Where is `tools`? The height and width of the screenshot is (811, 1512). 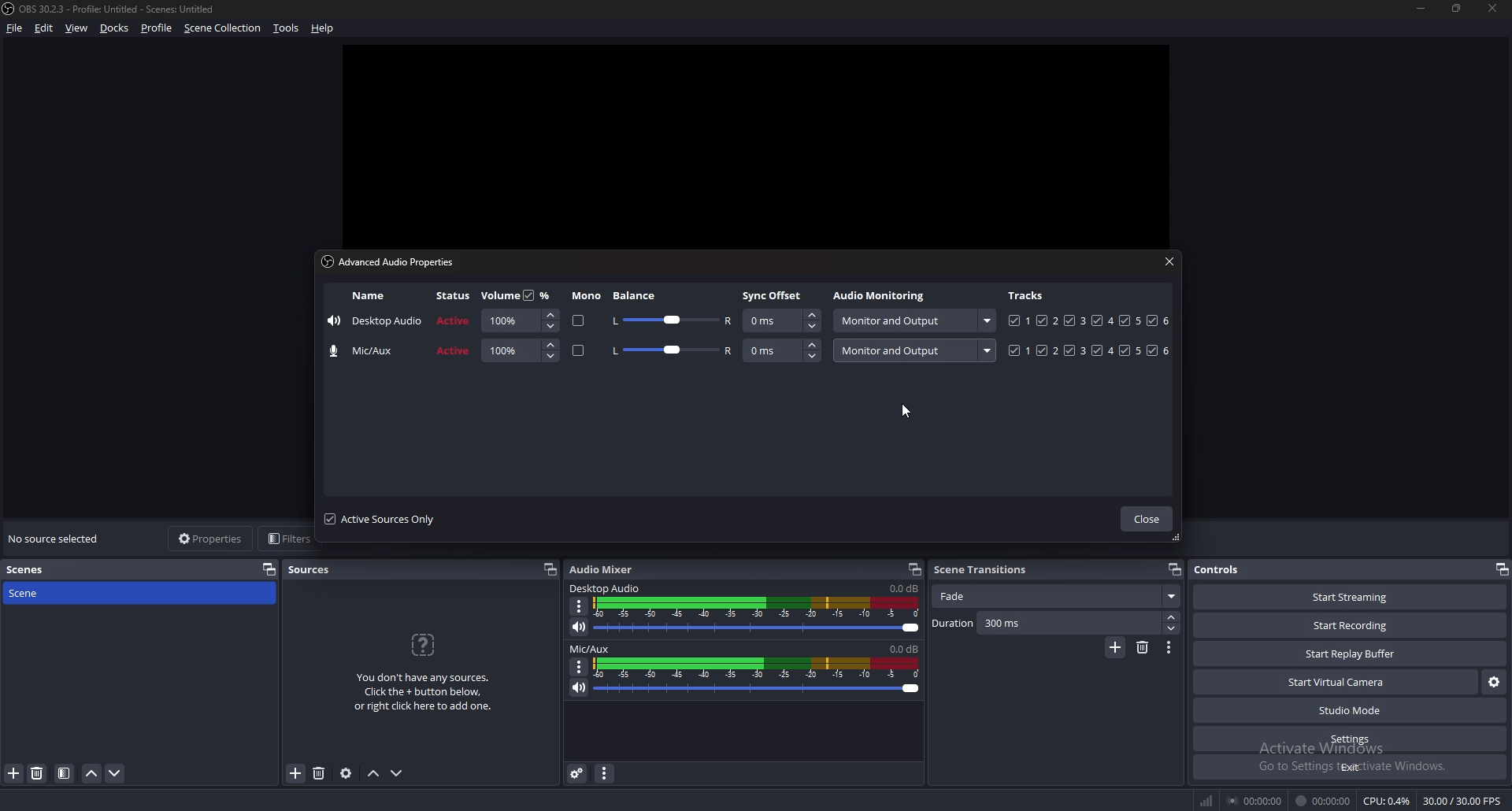 tools is located at coordinates (287, 28).